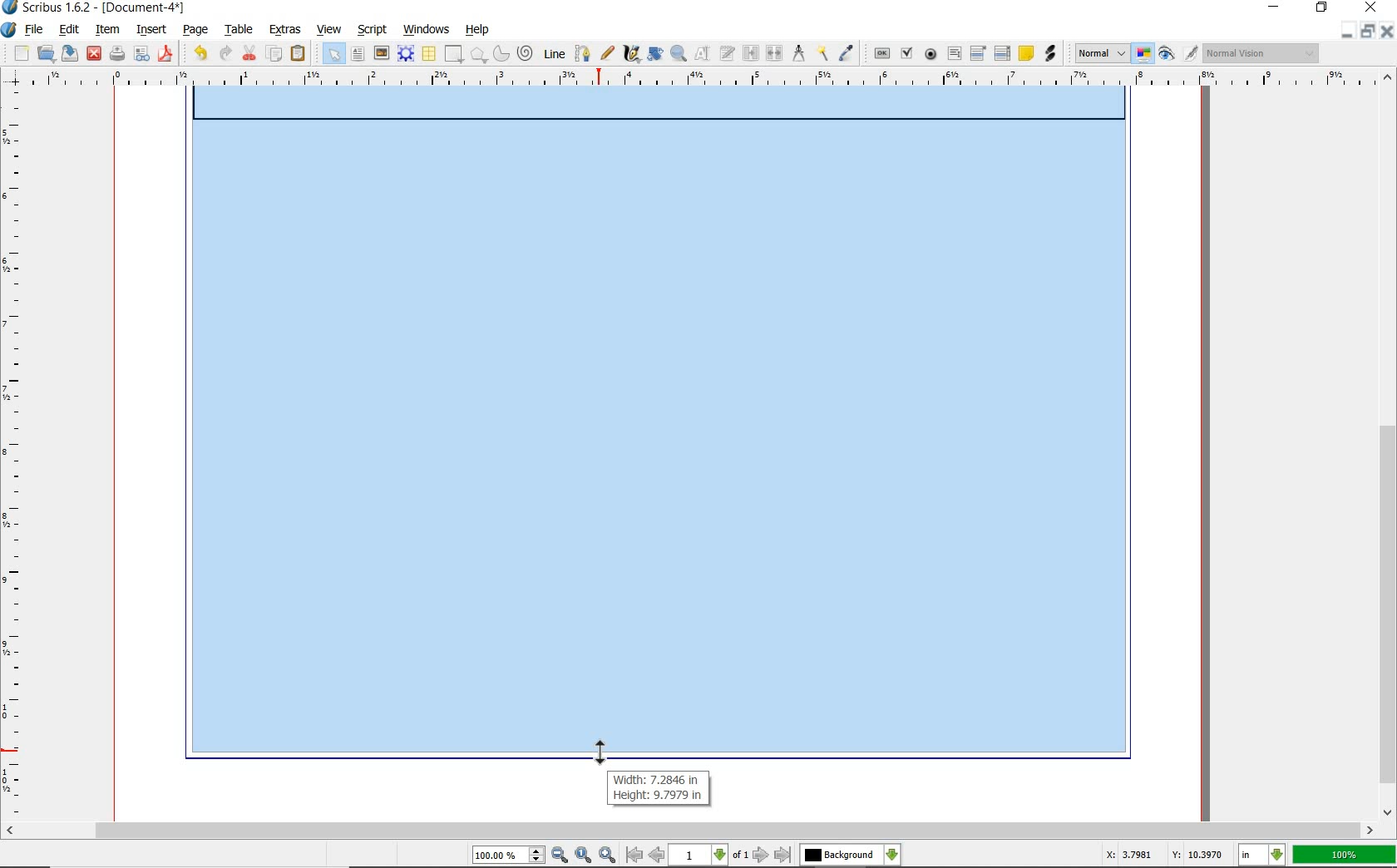 This screenshot has height=868, width=1397. What do you see at coordinates (701, 53) in the screenshot?
I see `edit contents of frame` at bounding box center [701, 53].